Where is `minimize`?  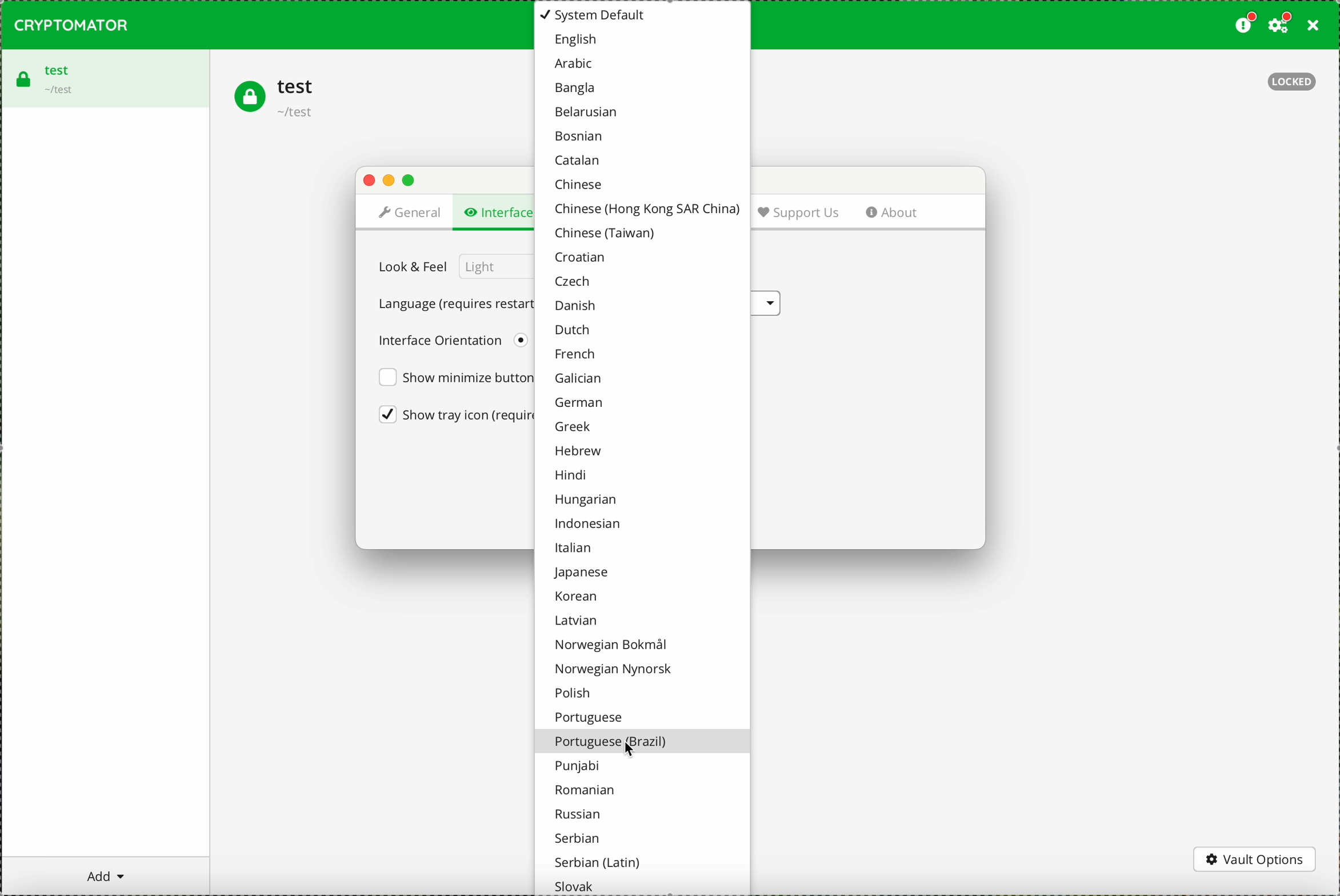
minimize is located at coordinates (389, 179).